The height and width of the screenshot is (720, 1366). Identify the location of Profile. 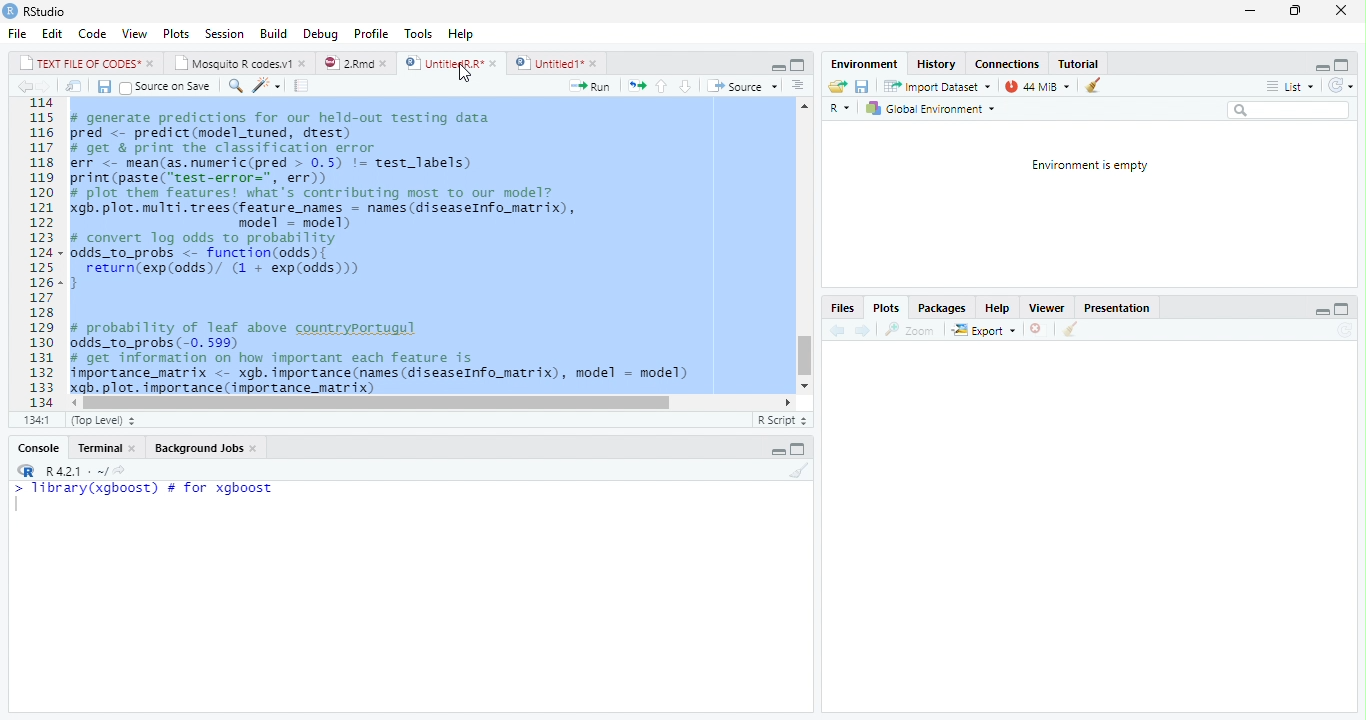
(372, 33).